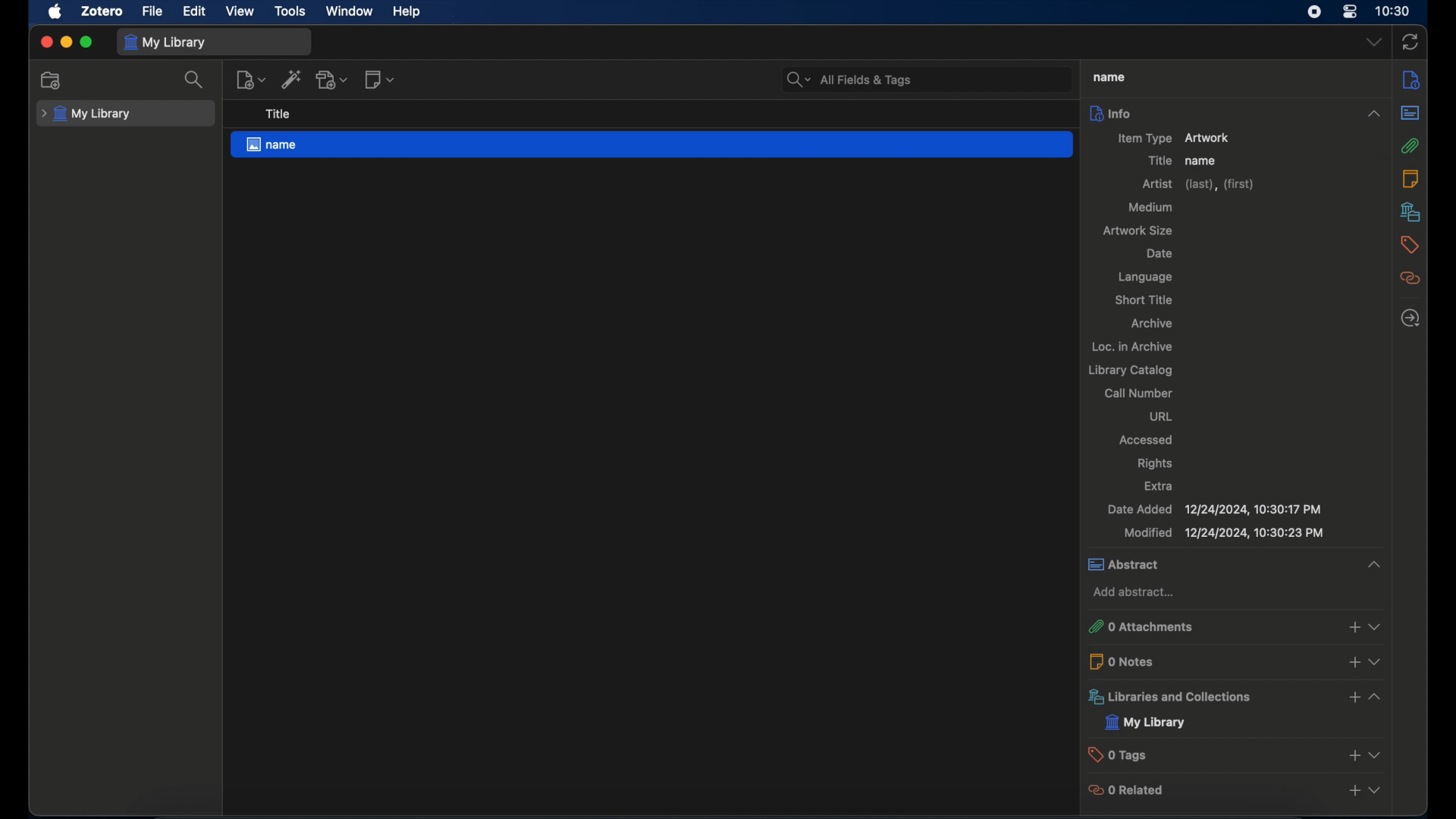  I want to click on screen recorder, so click(1314, 12).